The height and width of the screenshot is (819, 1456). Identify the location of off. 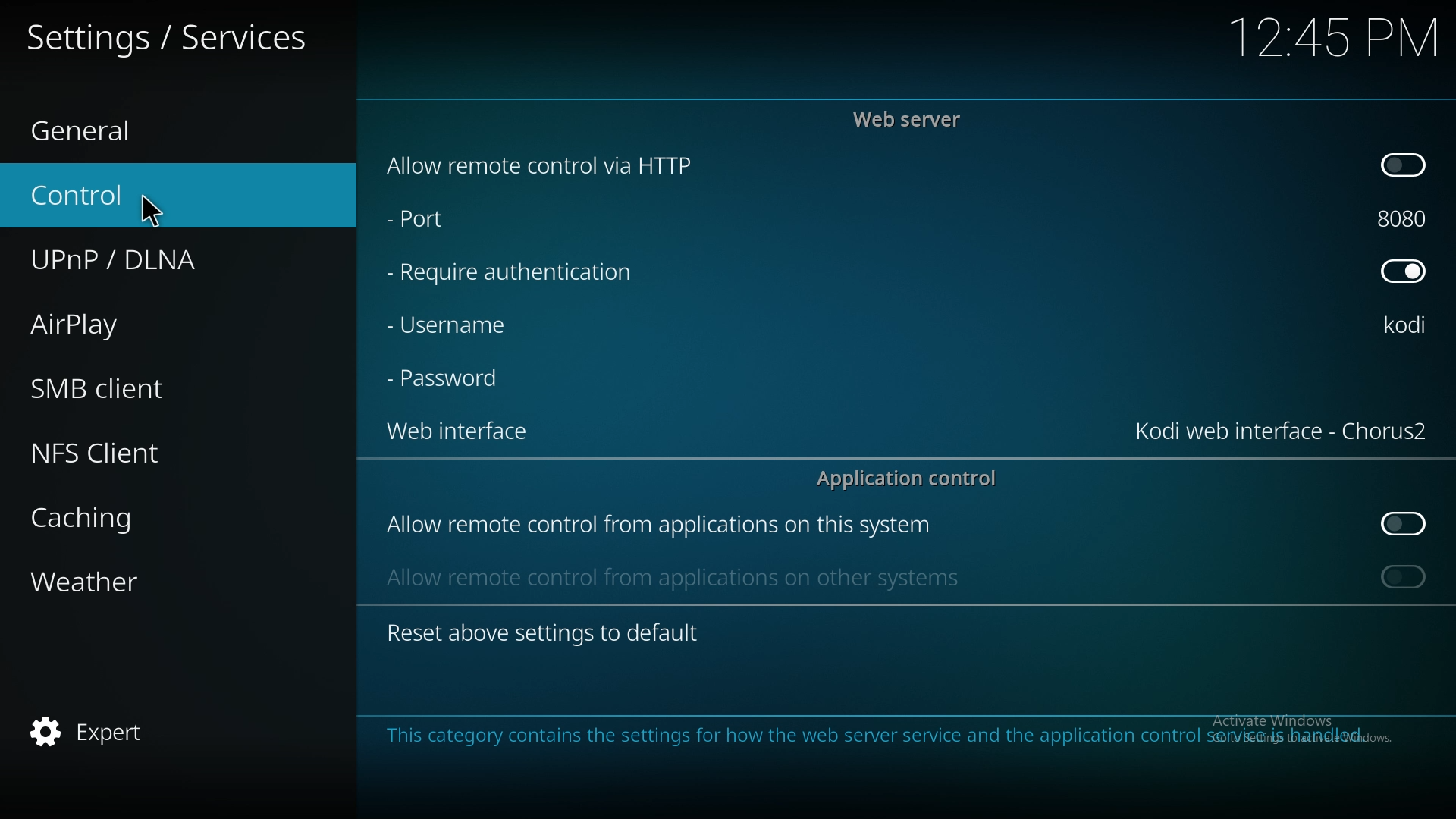
(1406, 524).